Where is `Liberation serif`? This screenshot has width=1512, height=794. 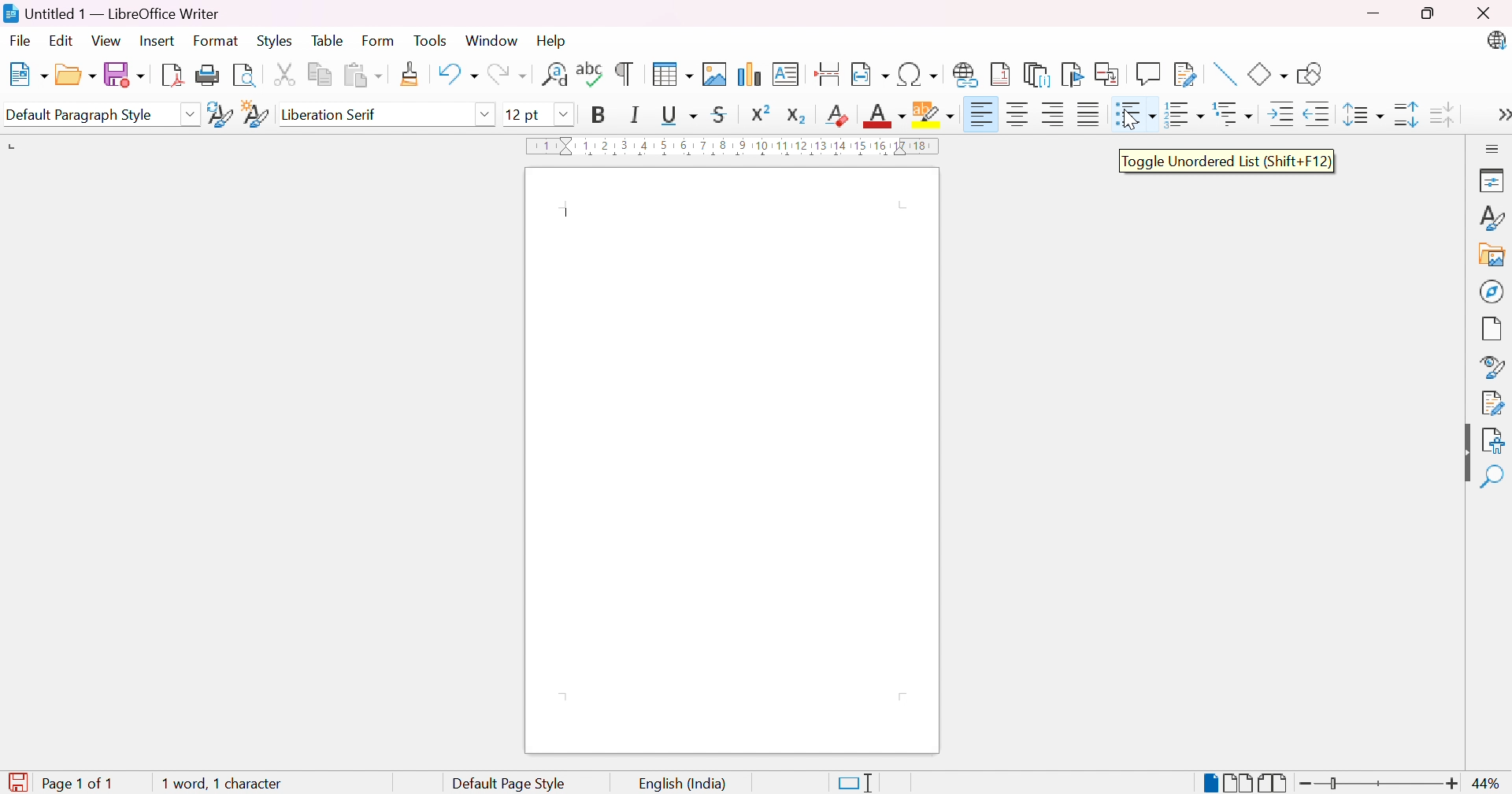
Liberation serif is located at coordinates (329, 113).